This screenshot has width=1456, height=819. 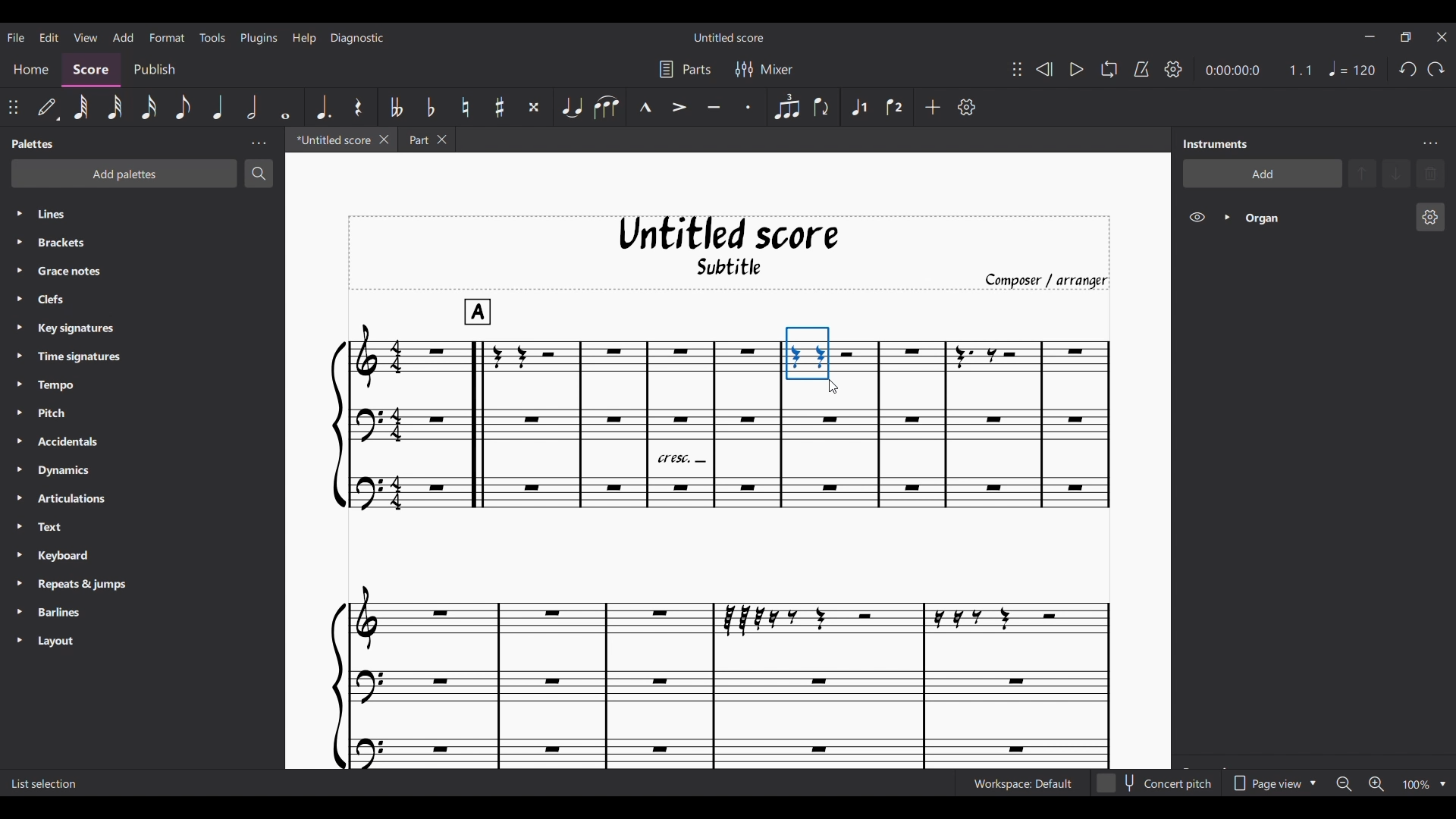 I want to click on Hide Organ on score, so click(x=1197, y=217).